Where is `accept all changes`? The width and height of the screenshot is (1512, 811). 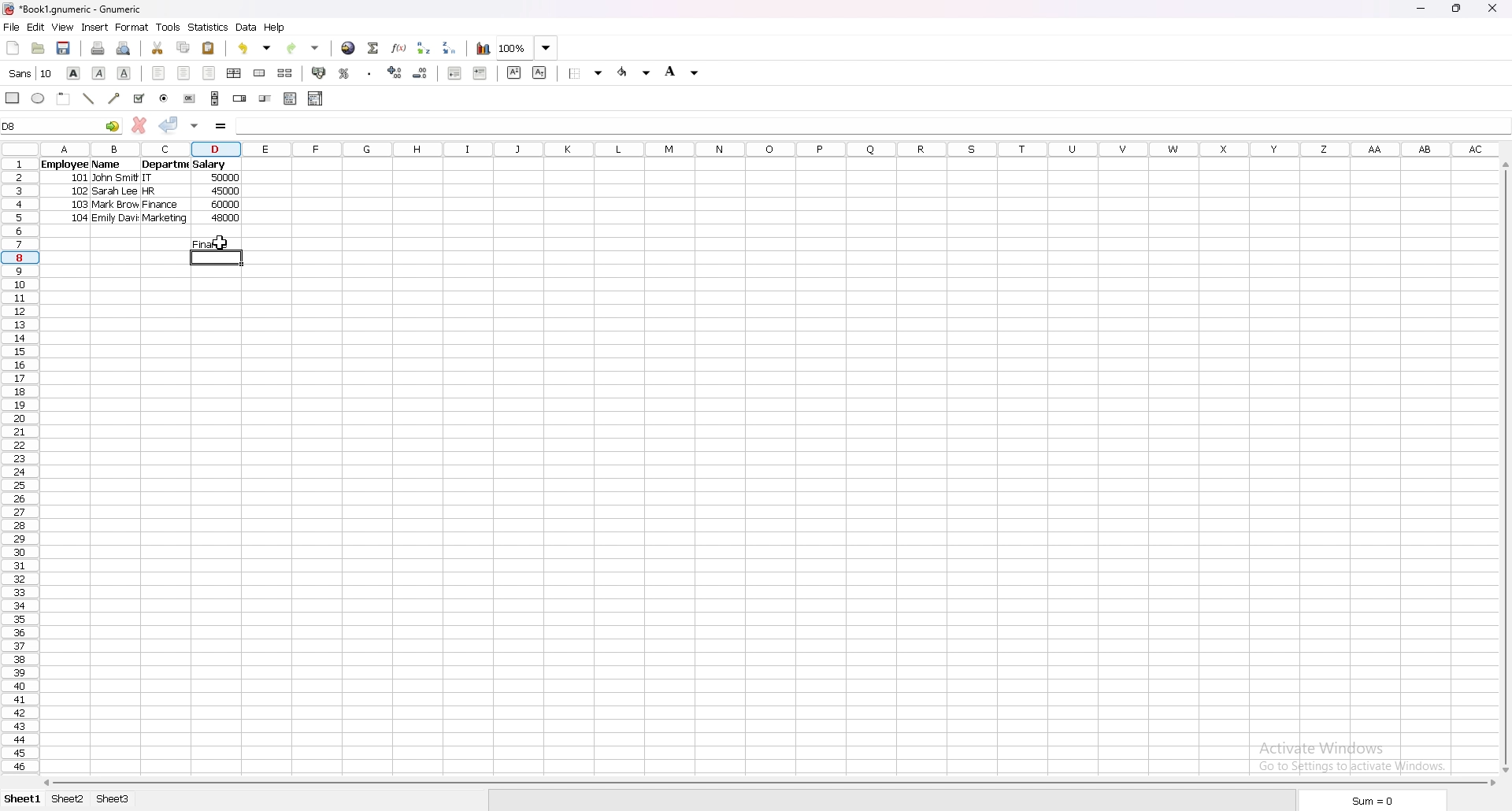
accept all changes is located at coordinates (195, 127).